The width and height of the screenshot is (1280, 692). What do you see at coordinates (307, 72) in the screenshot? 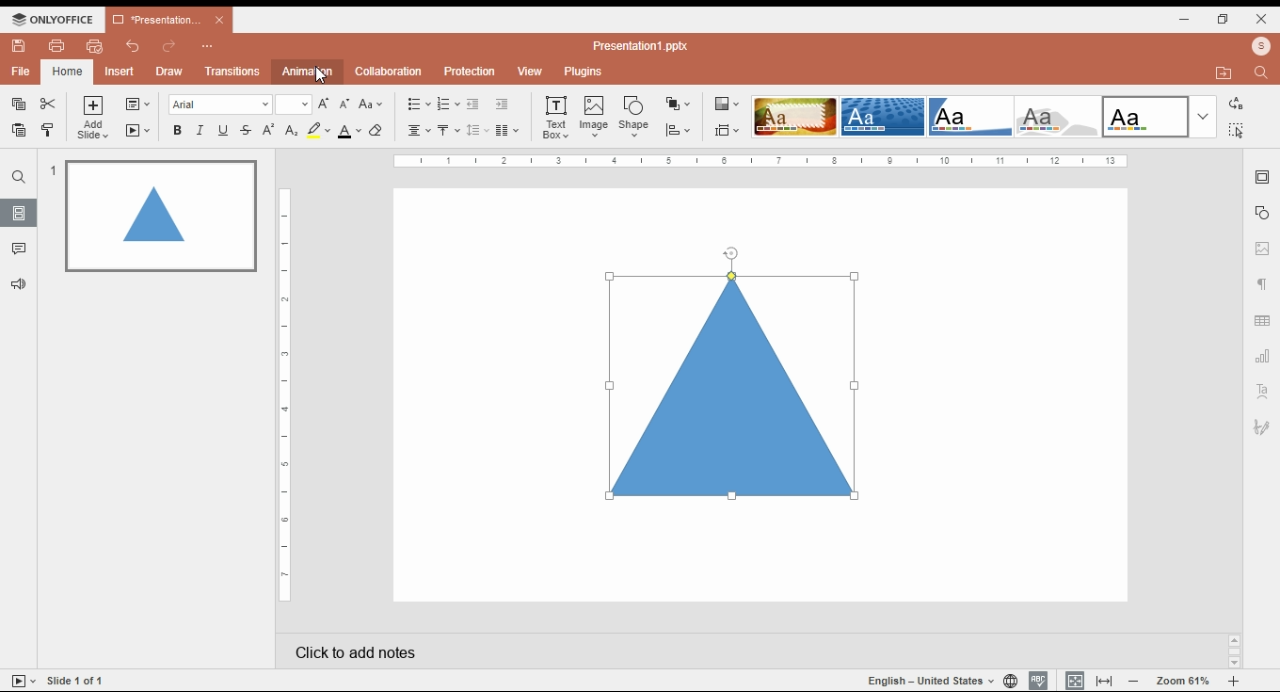
I see `animations` at bounding box center [307, 72].